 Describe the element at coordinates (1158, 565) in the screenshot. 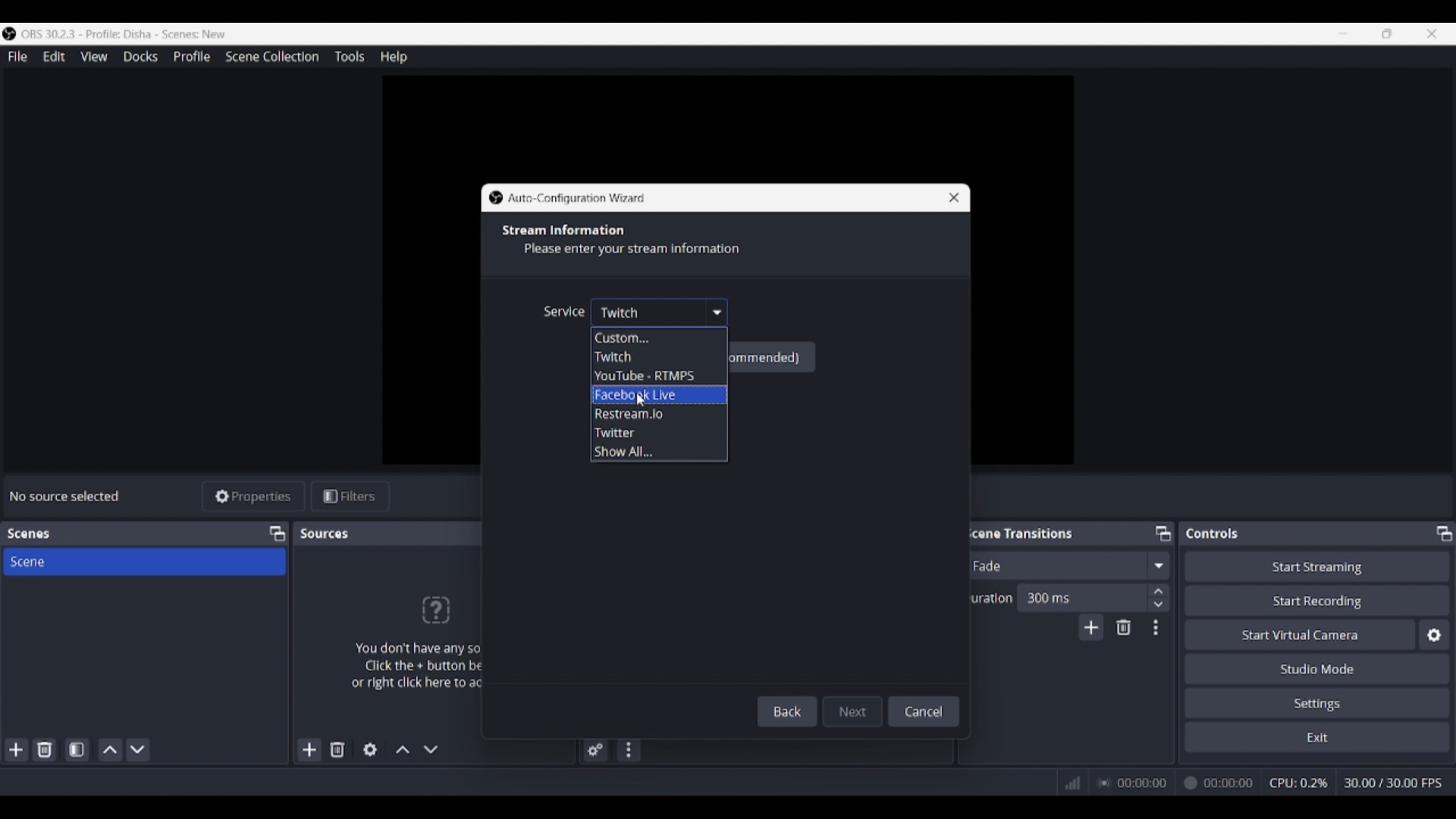

I see `Fade options` at that location.